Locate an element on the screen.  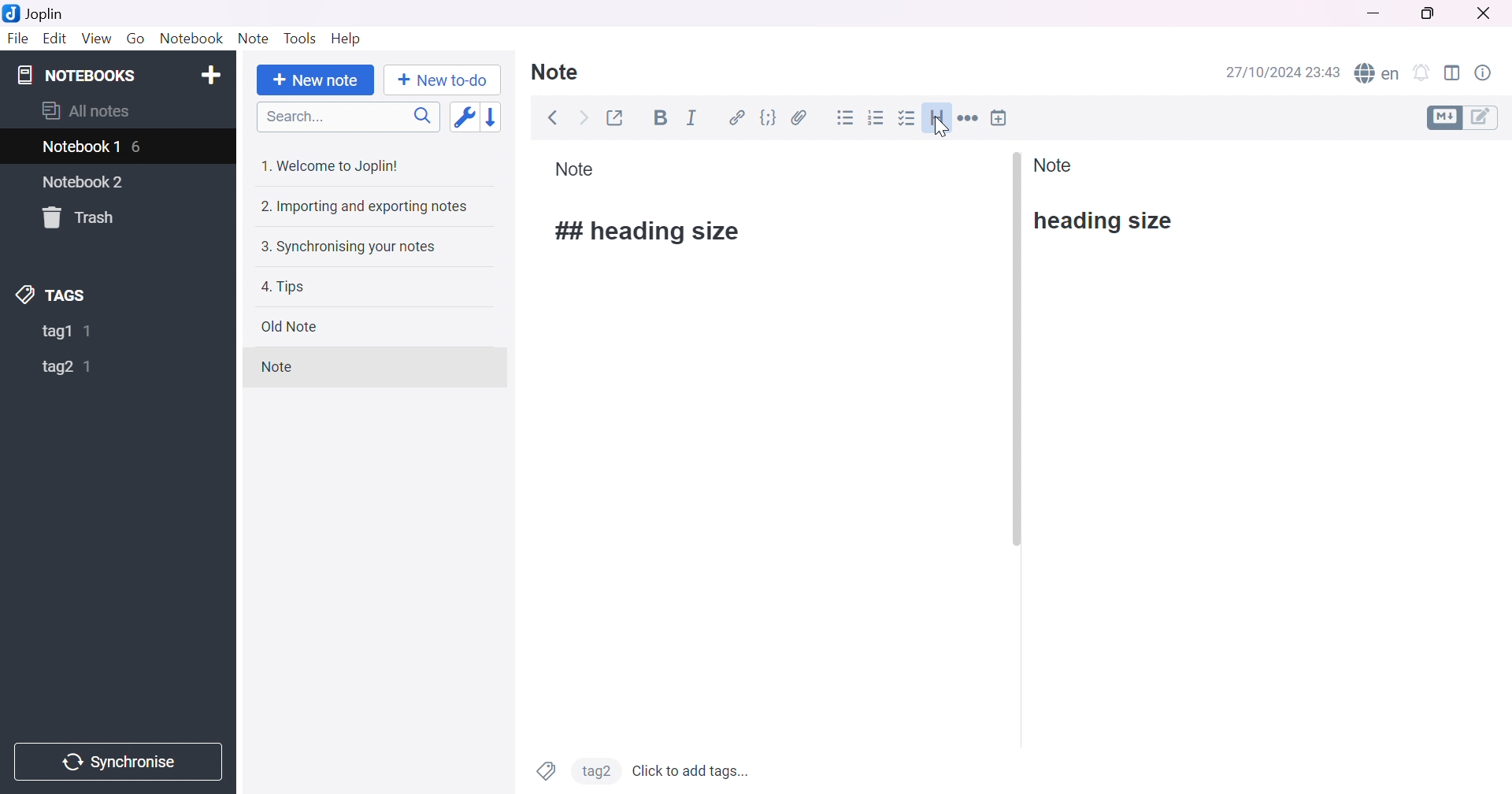
6 is located at coordinates (138, 149).